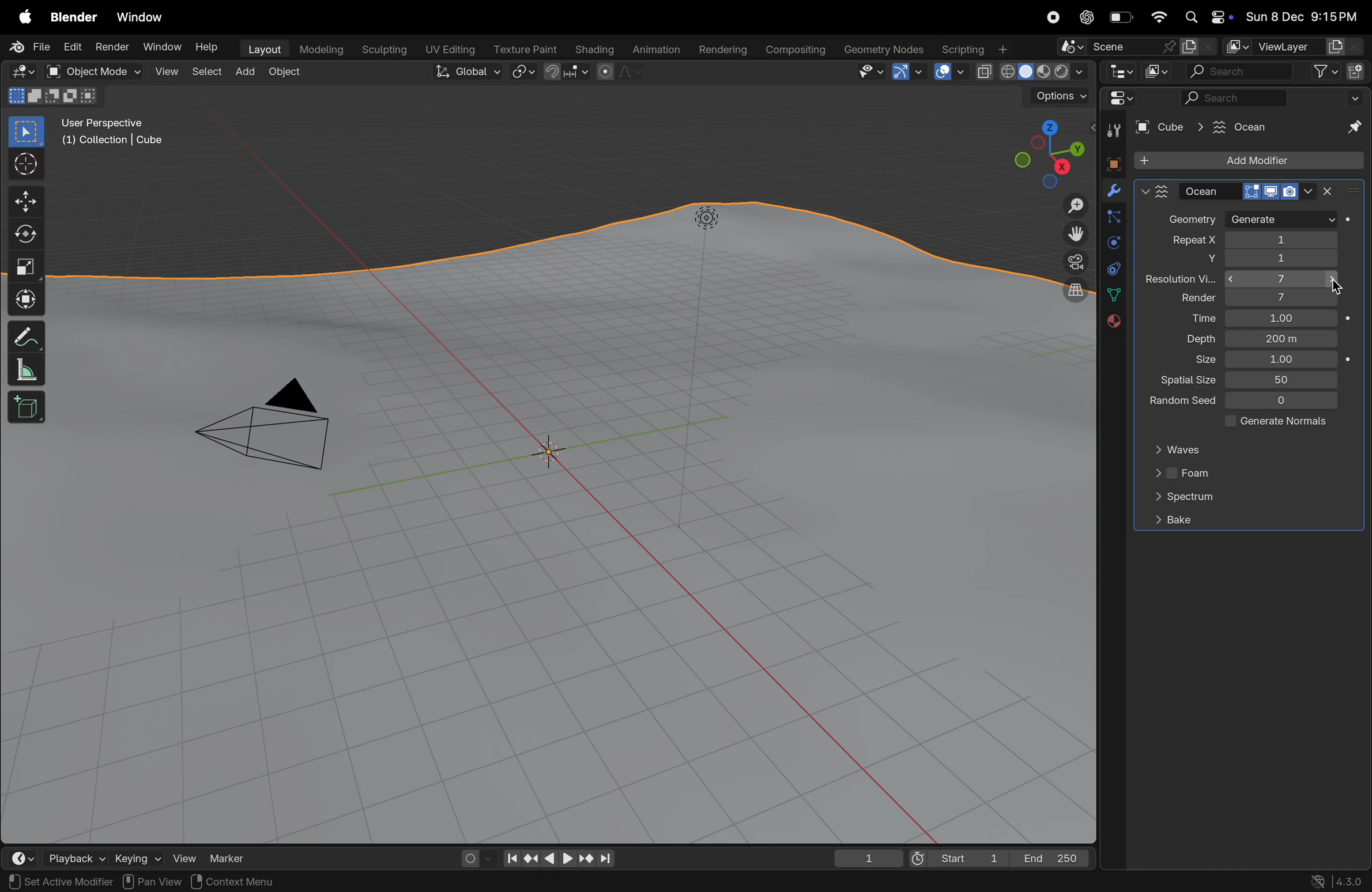  Describe the element at coordinates (1183, 499) in the screenshot. I see `spectrum` at that location.